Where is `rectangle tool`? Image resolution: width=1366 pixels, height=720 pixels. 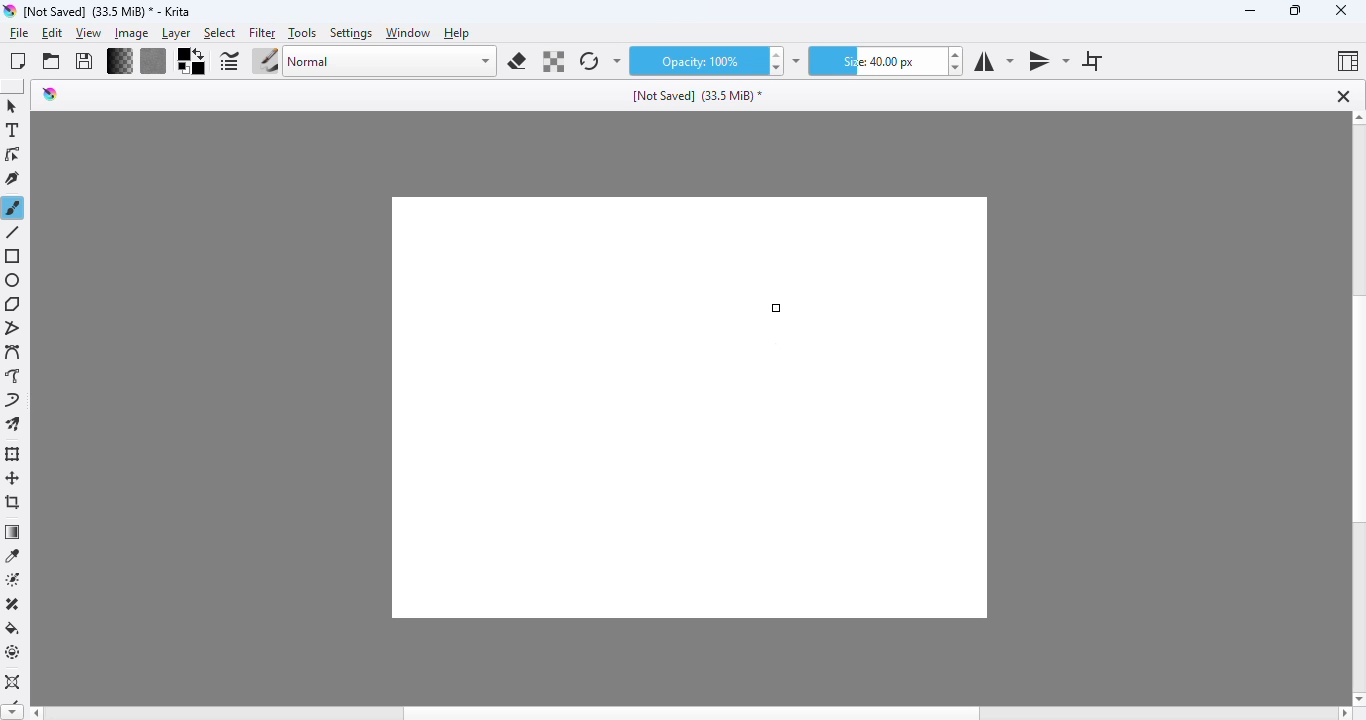
rectangle tool is located at coordinates (14, 257).